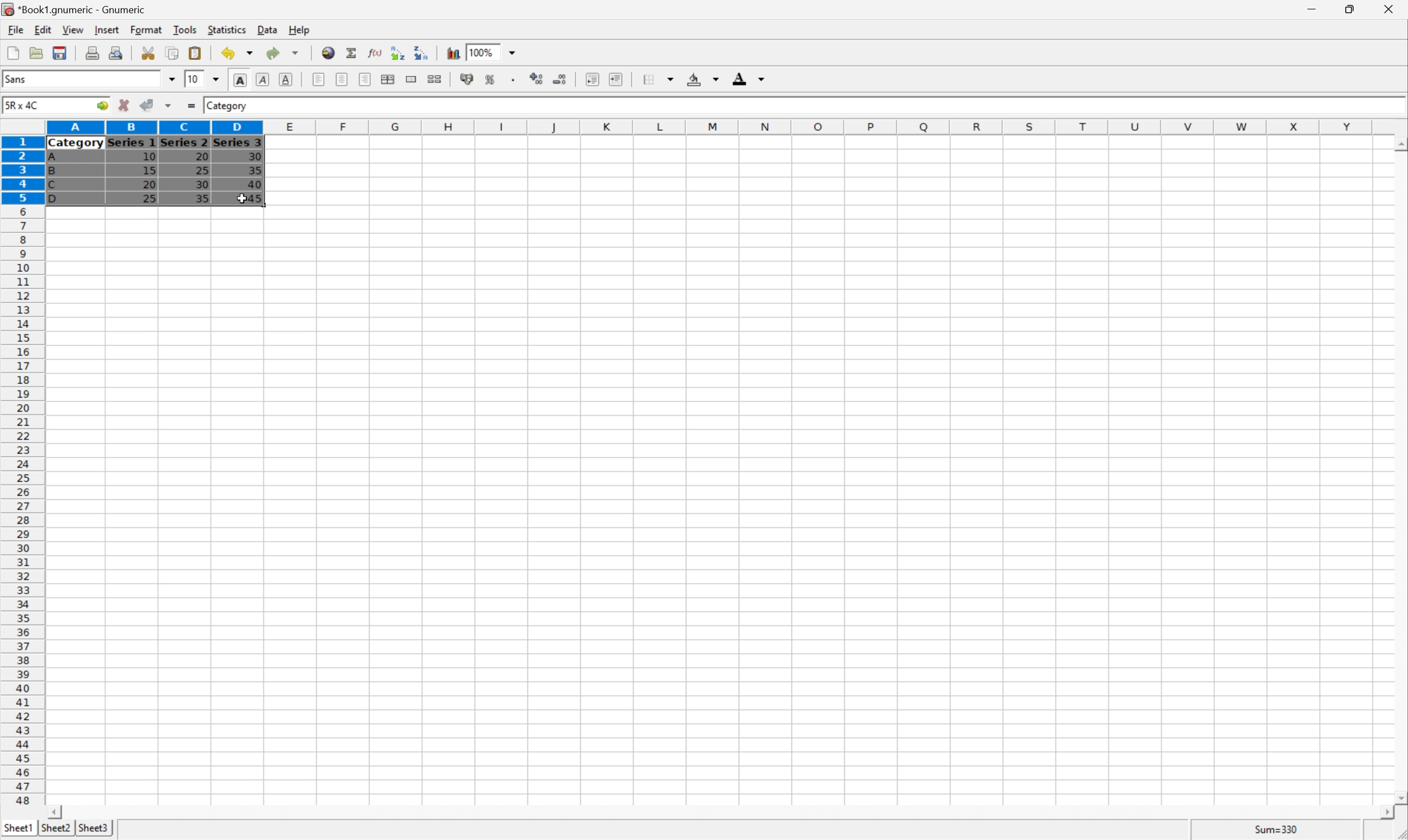 This screenshot has width=1408, height=840. What do you see at coordinates (238, 51) in the screenshot?
I see `Undo` at bounding box center [238, 51].